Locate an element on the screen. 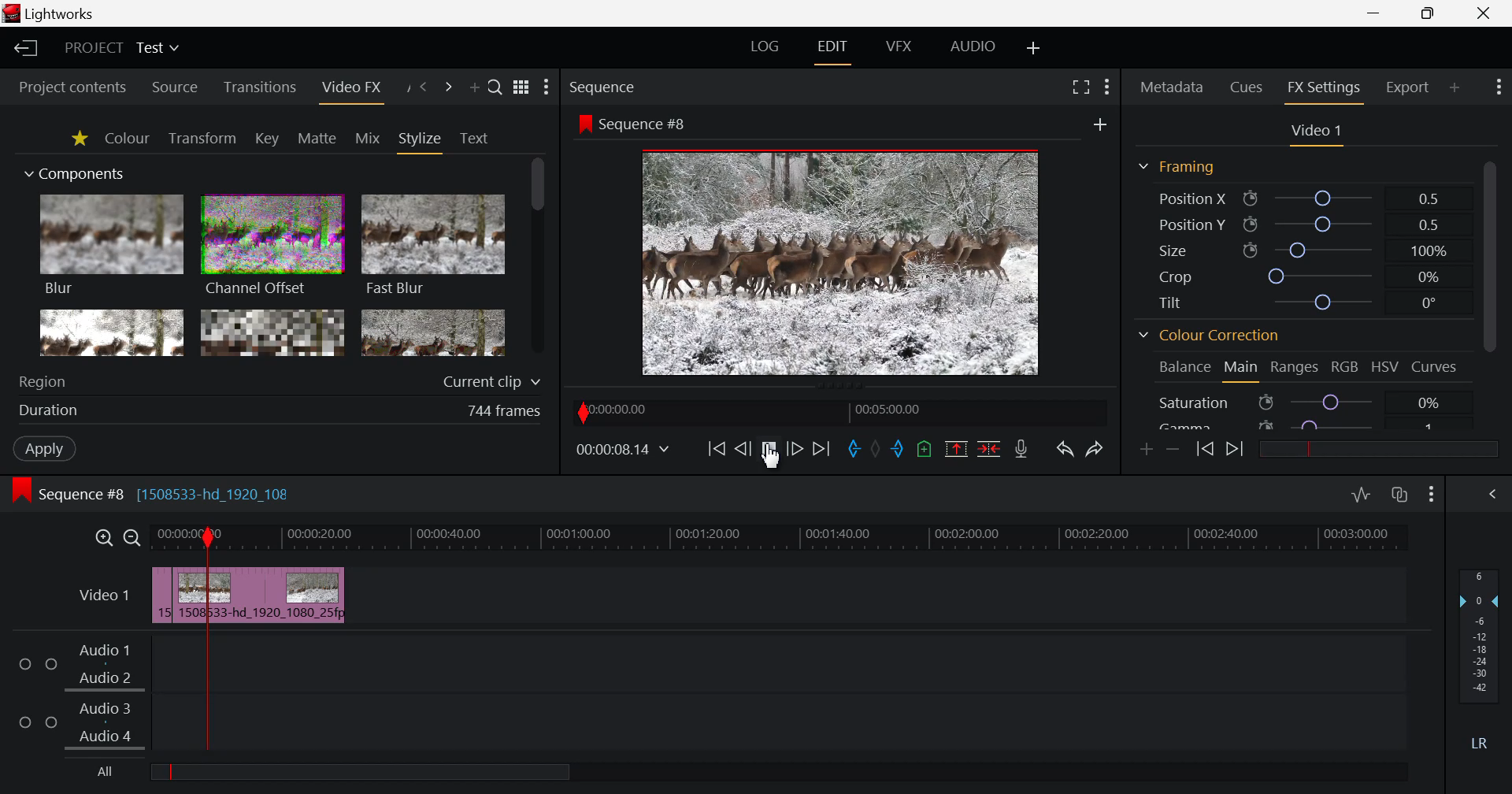  add is located at coordinates (1101, 124).